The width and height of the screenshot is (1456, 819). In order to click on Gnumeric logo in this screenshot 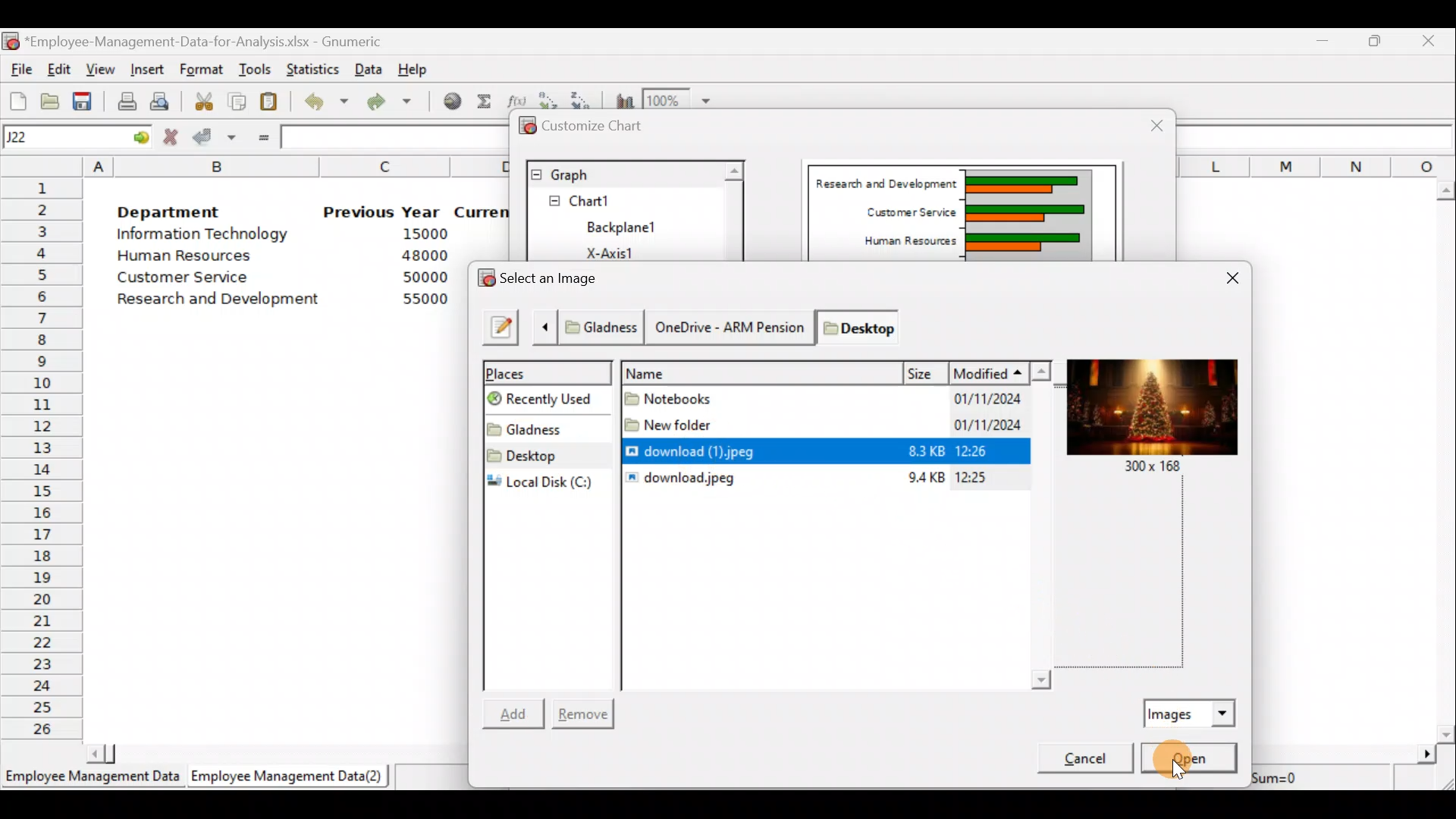, I will do `click(12, 41)`.